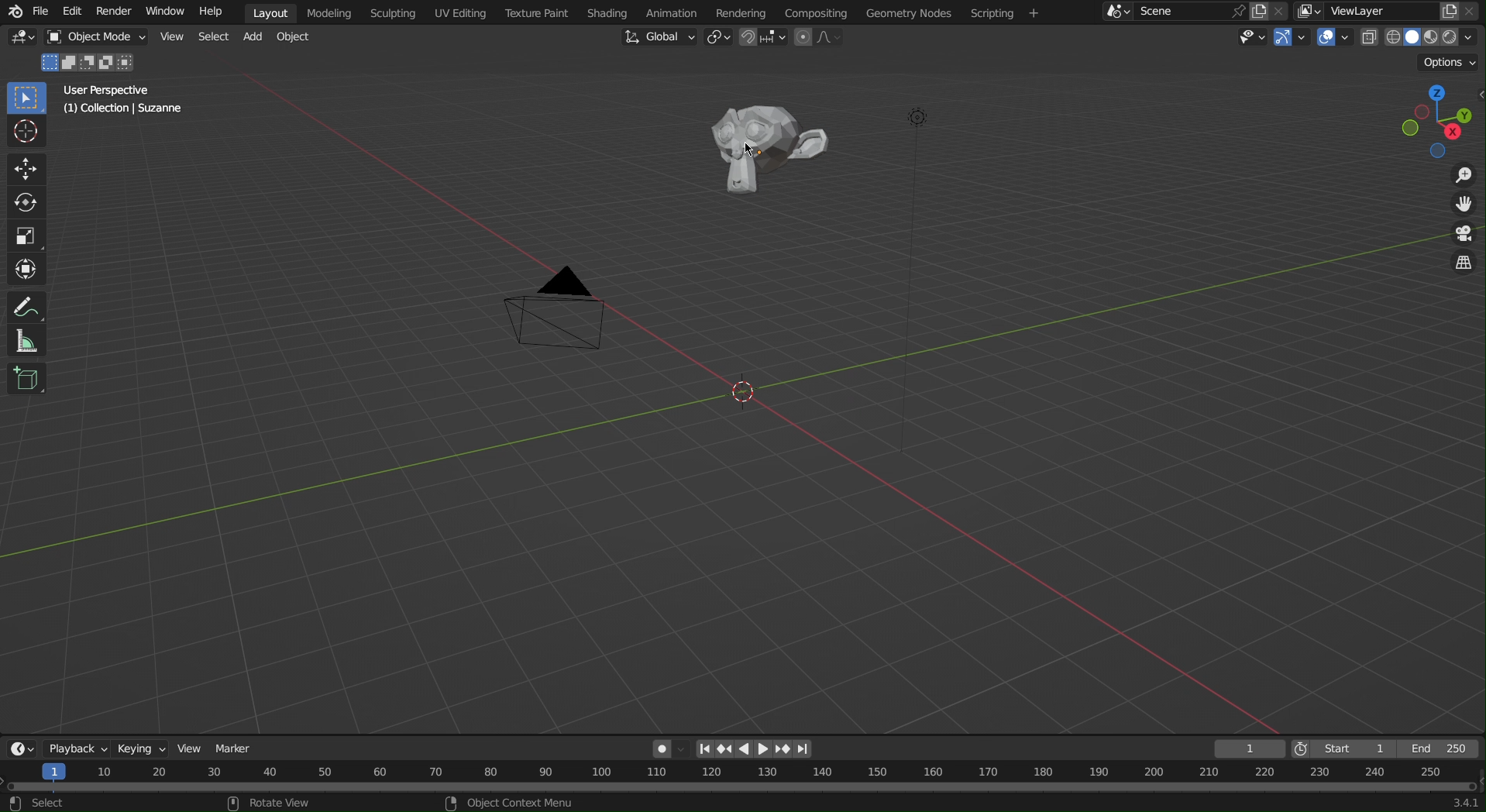  Describe the element at coordinates (1448, 12) in the screenshot. I see `files` at that location.